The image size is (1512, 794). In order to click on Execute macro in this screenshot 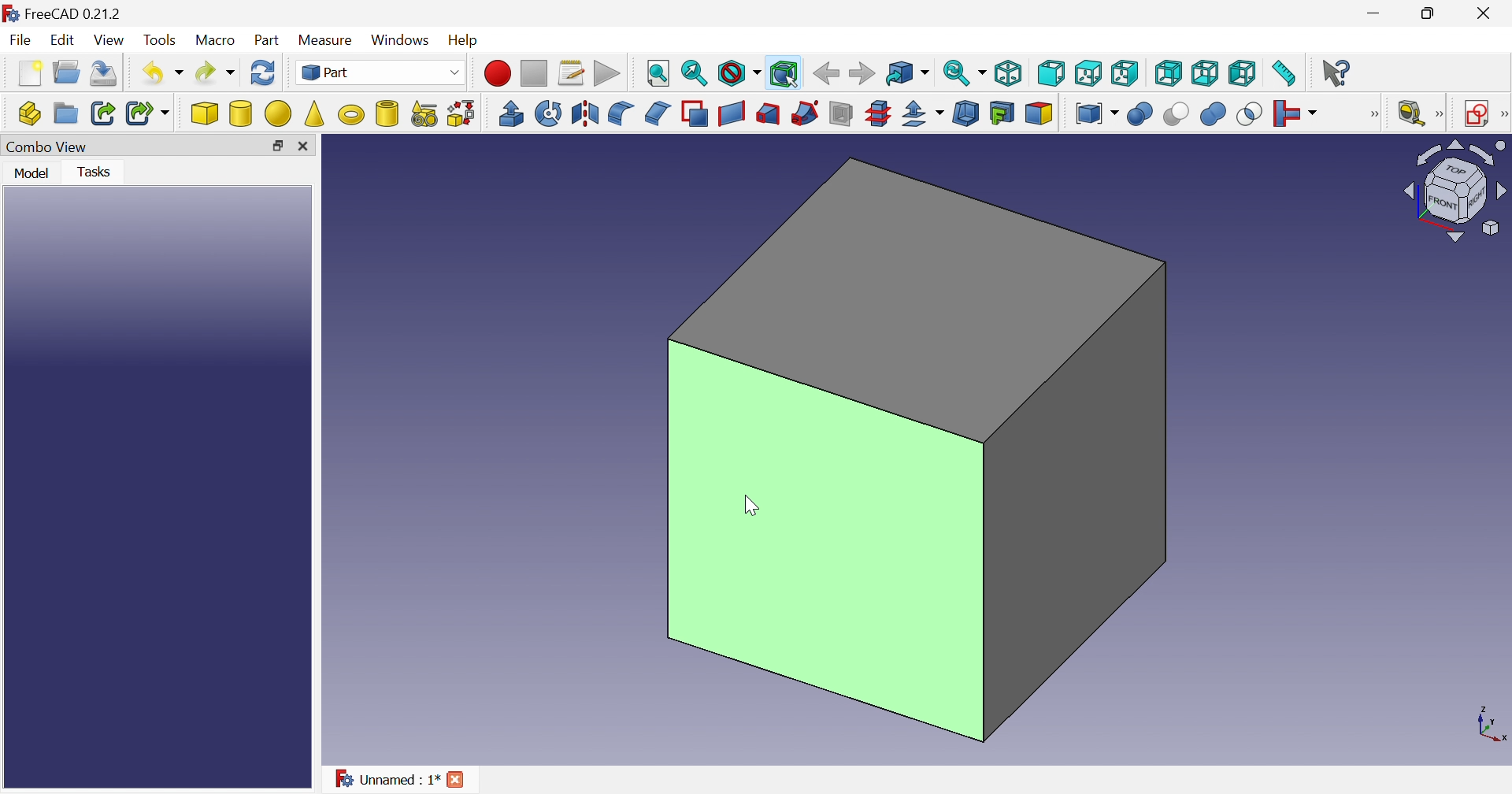, I will do `click(607, 74)`.